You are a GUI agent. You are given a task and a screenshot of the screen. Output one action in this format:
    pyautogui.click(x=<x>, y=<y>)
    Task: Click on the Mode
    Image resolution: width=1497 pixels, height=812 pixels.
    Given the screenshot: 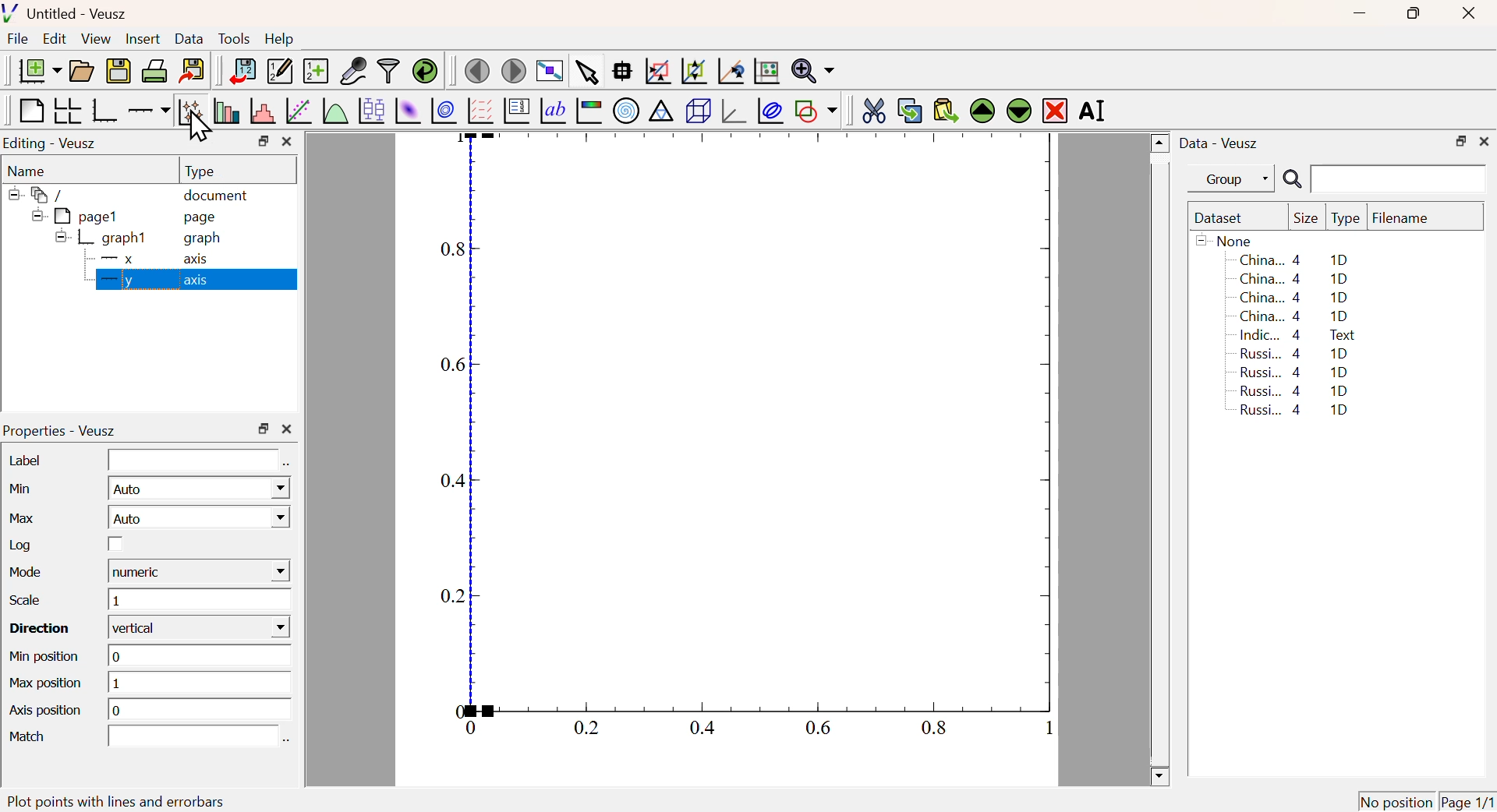 What is the action you would take?
    pyautogui.click(x=30, y=574)
    